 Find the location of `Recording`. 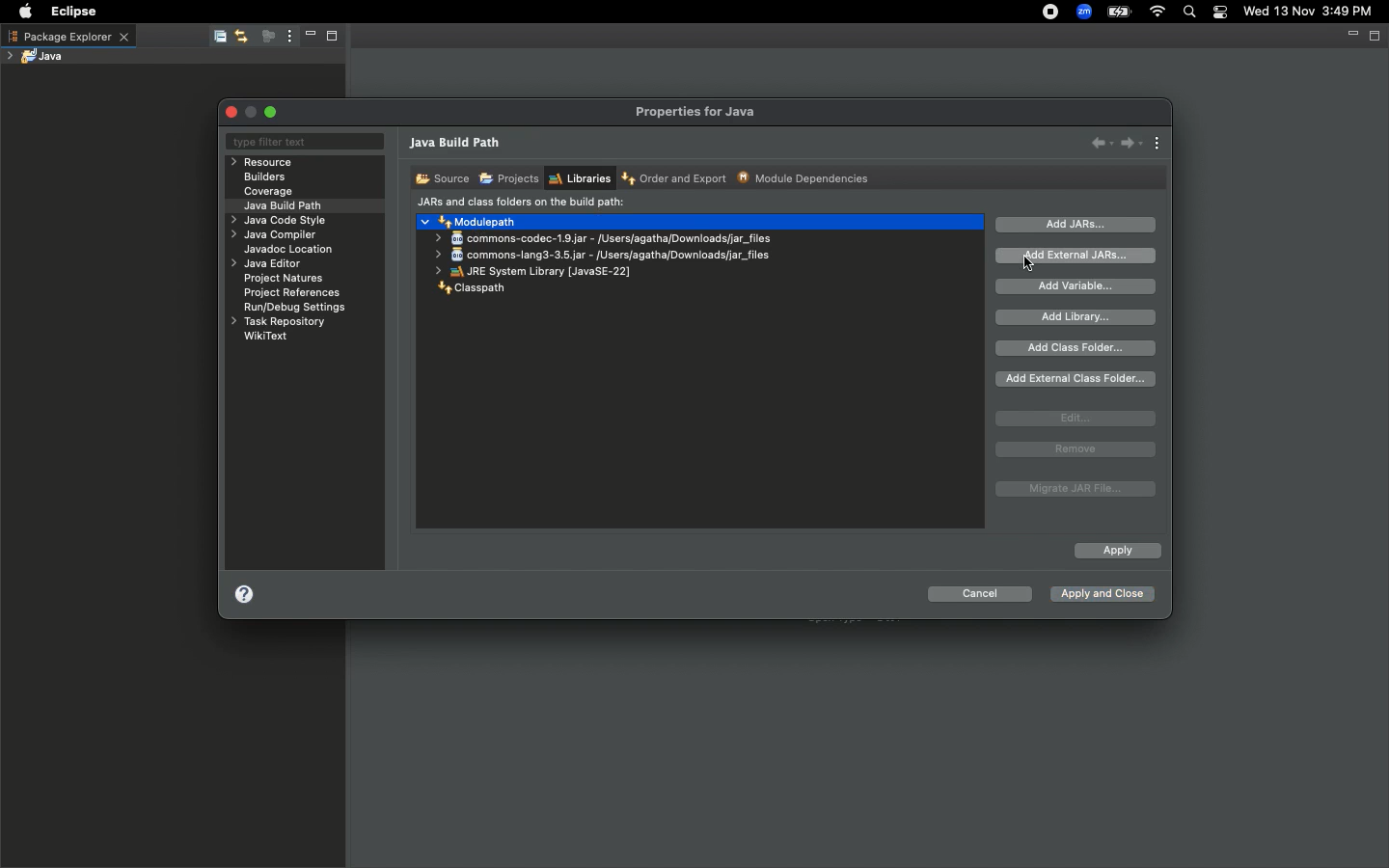

Recording is located at coordinates (1051, 14).